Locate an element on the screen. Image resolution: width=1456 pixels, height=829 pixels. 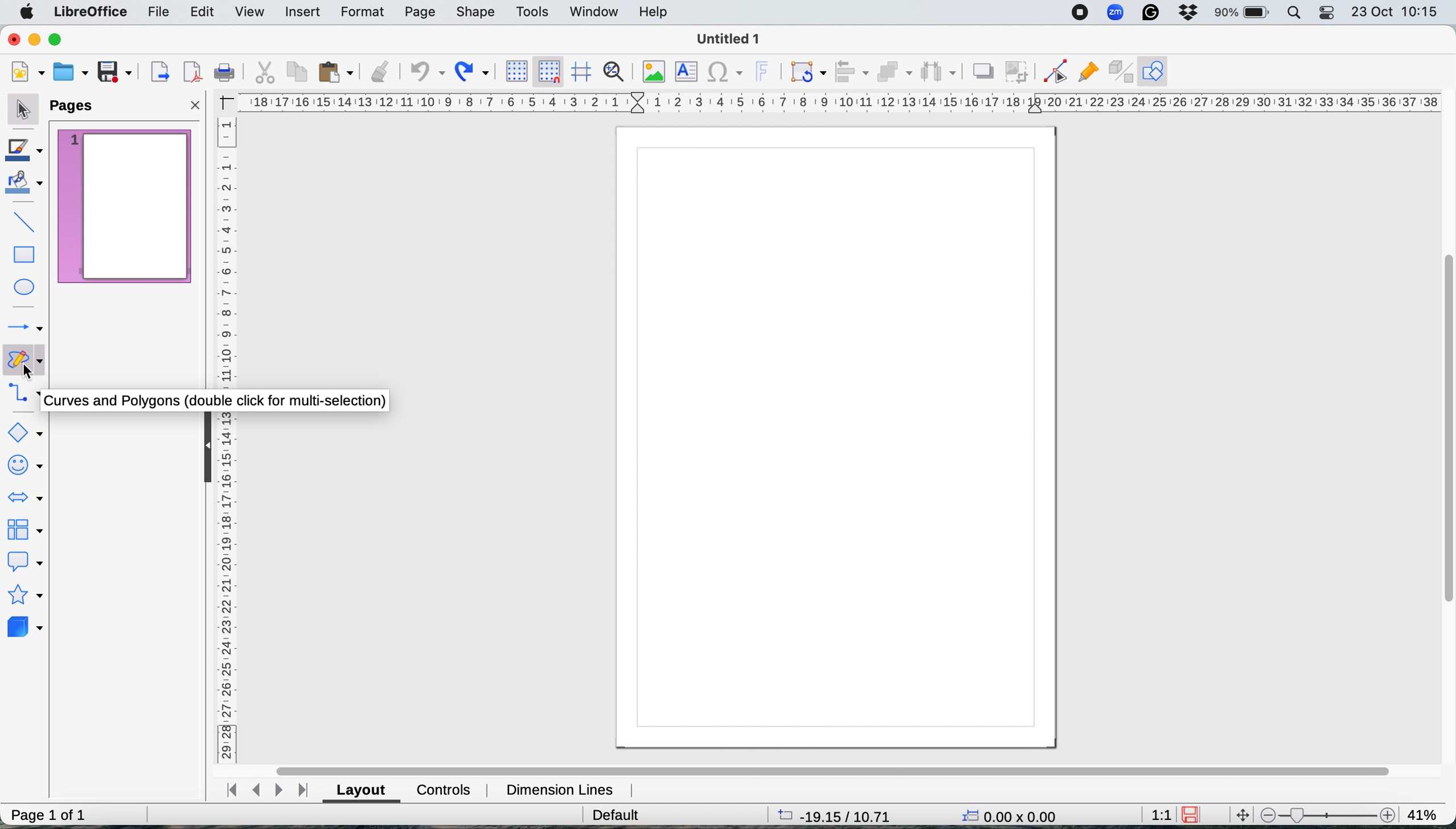
dimension lines is located at coordinates (564, 788).